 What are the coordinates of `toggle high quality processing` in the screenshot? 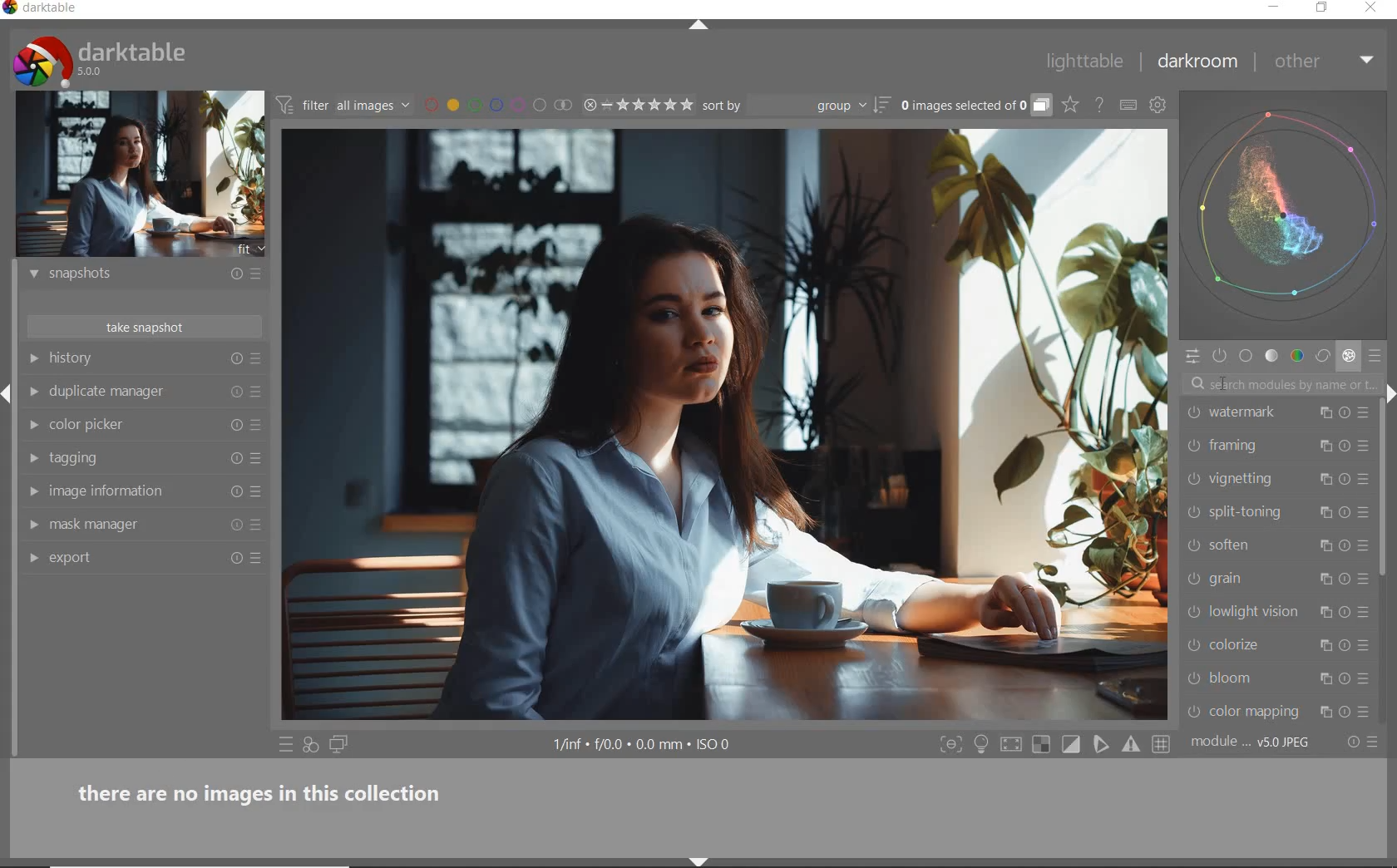 It's located at (1013, 745).